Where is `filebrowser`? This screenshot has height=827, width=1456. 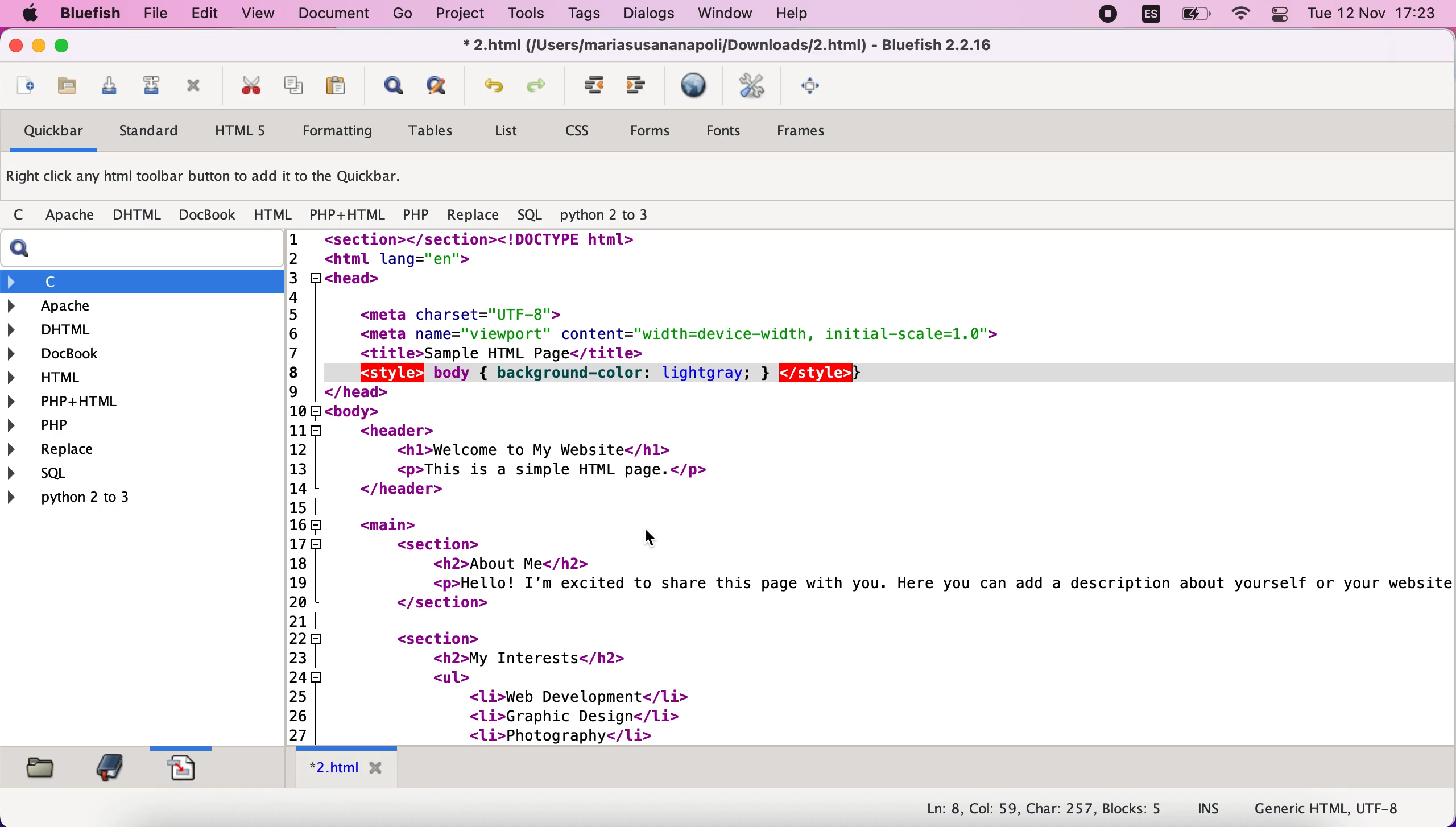 filebrowser is located at coordinates (43, 770).